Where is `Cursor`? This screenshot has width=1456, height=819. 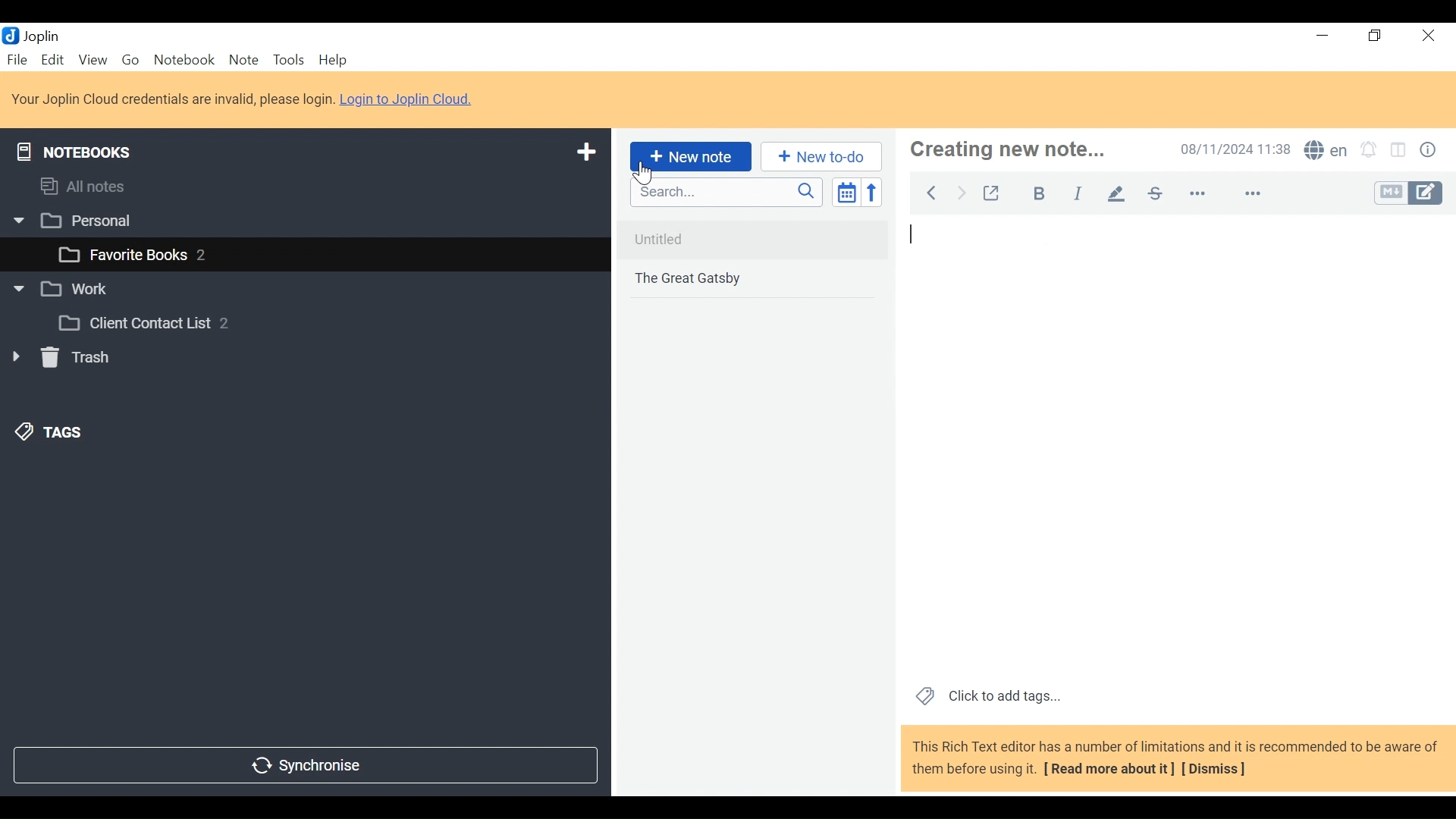 Cursor is located at coordinates (639, 173).